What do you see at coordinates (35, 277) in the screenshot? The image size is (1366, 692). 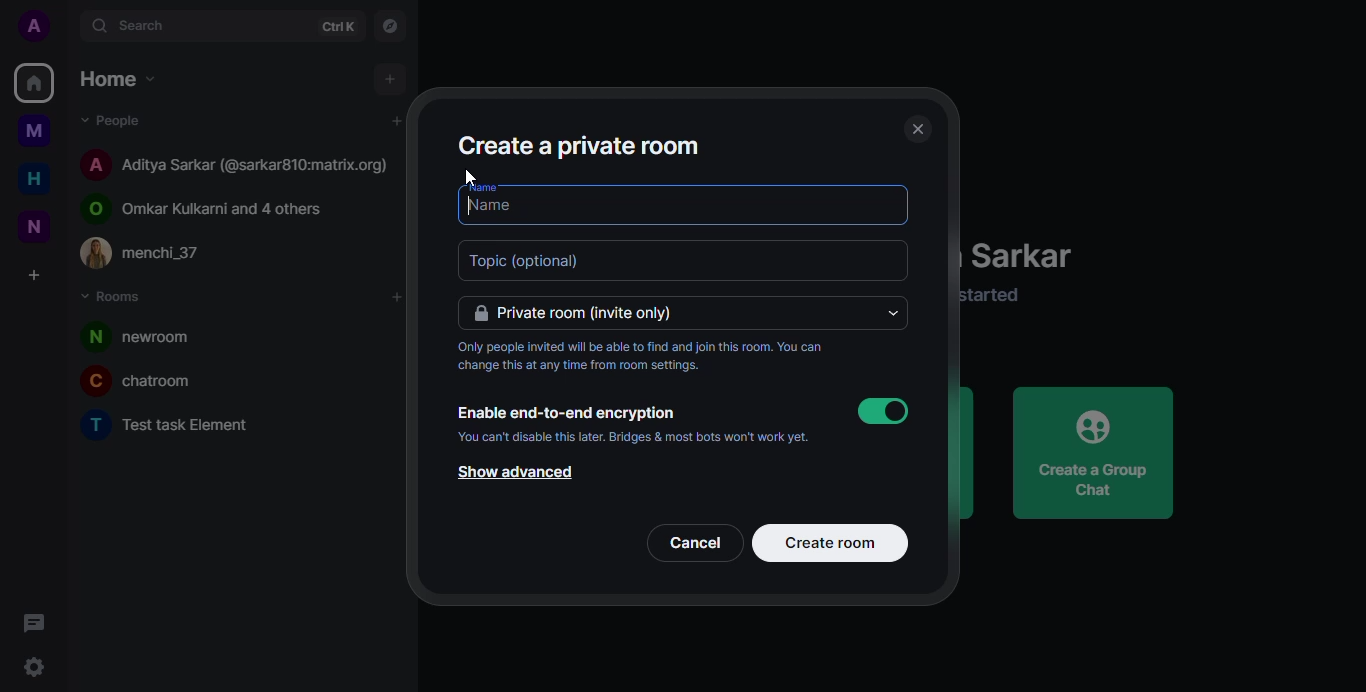 I see `create space` at bounding box center [35, 277].